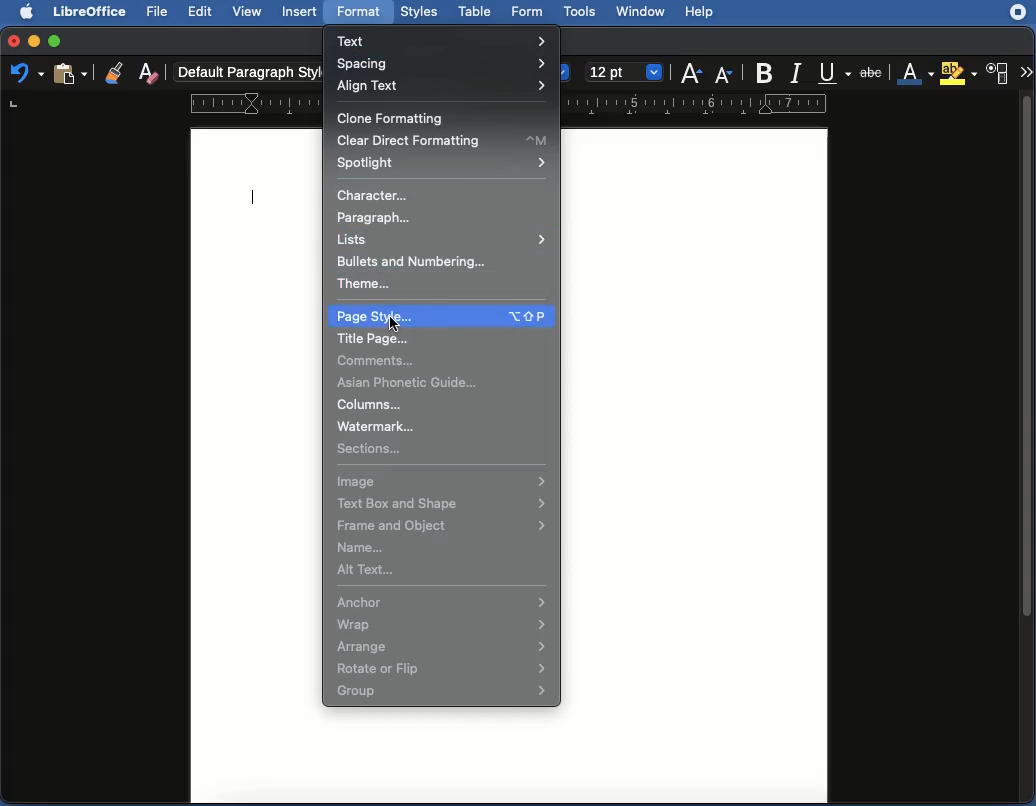  What do you see at coordinates (248, 12) in the screenshot?
I see `View` at bounding box center [248, 12].